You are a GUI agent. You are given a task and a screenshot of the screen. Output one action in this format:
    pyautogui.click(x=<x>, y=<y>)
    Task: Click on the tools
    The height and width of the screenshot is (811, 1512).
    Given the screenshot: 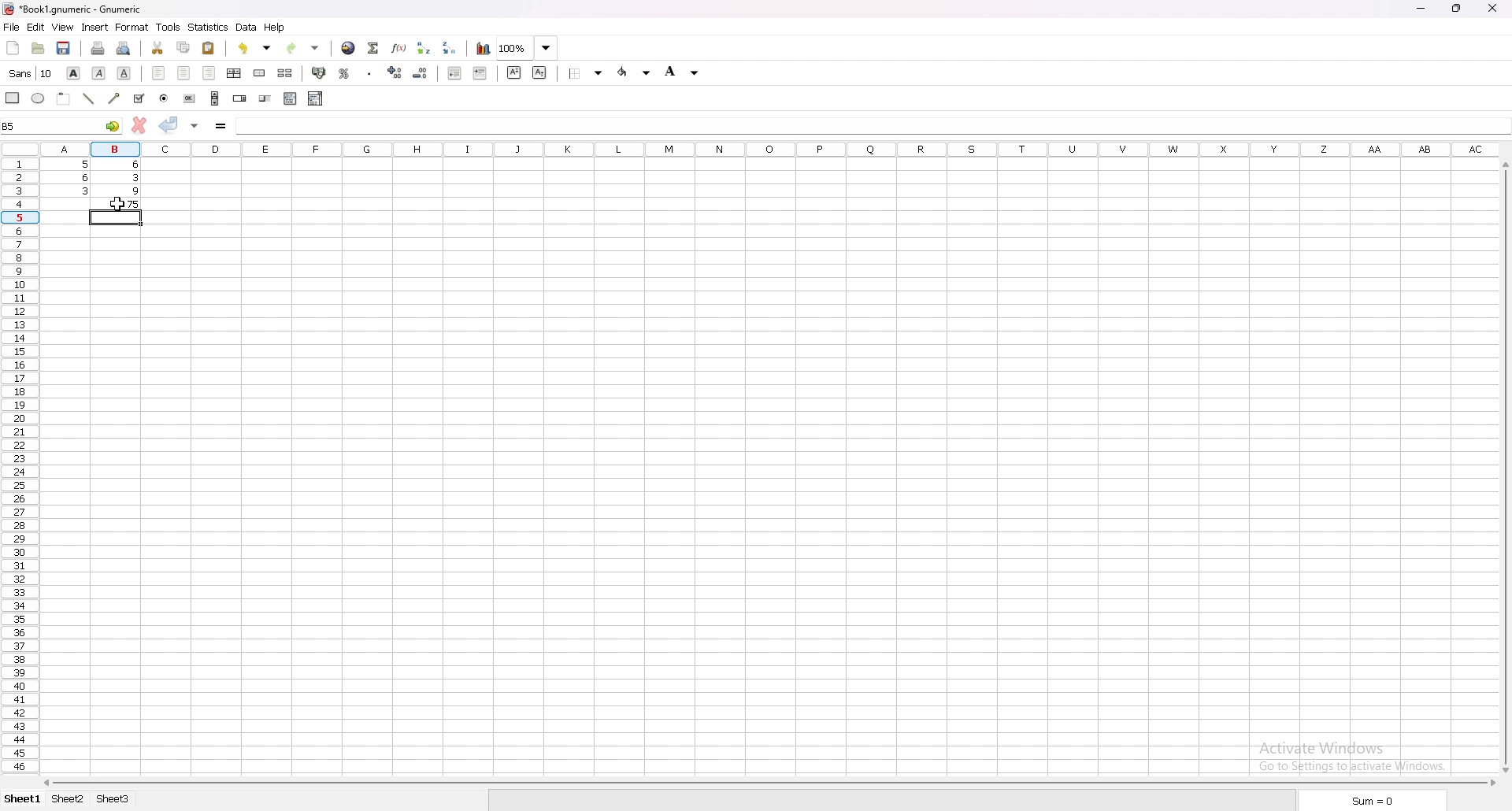 What is the action you would take?
    pyautogui.click(x=168, y=28)
    